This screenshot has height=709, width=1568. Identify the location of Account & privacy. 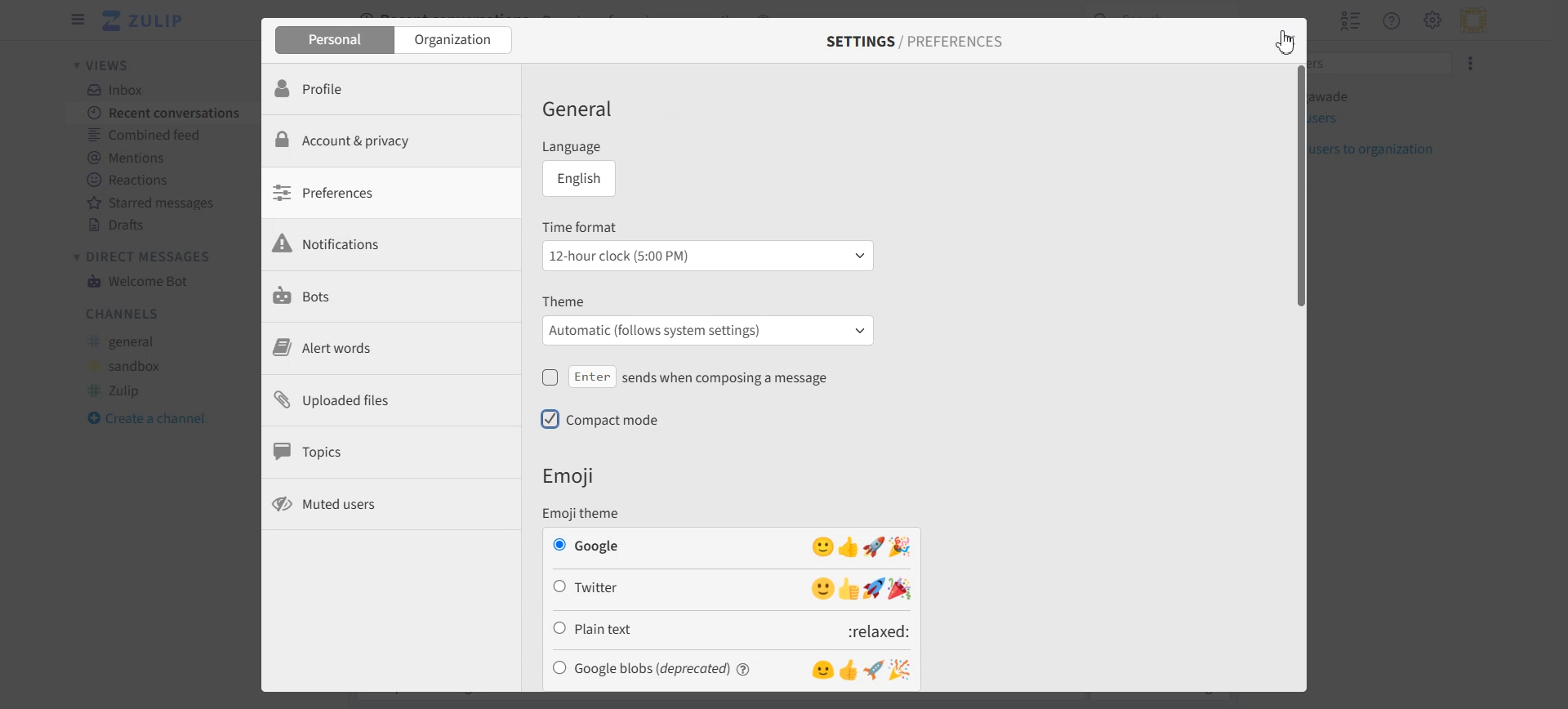
(390, 147).